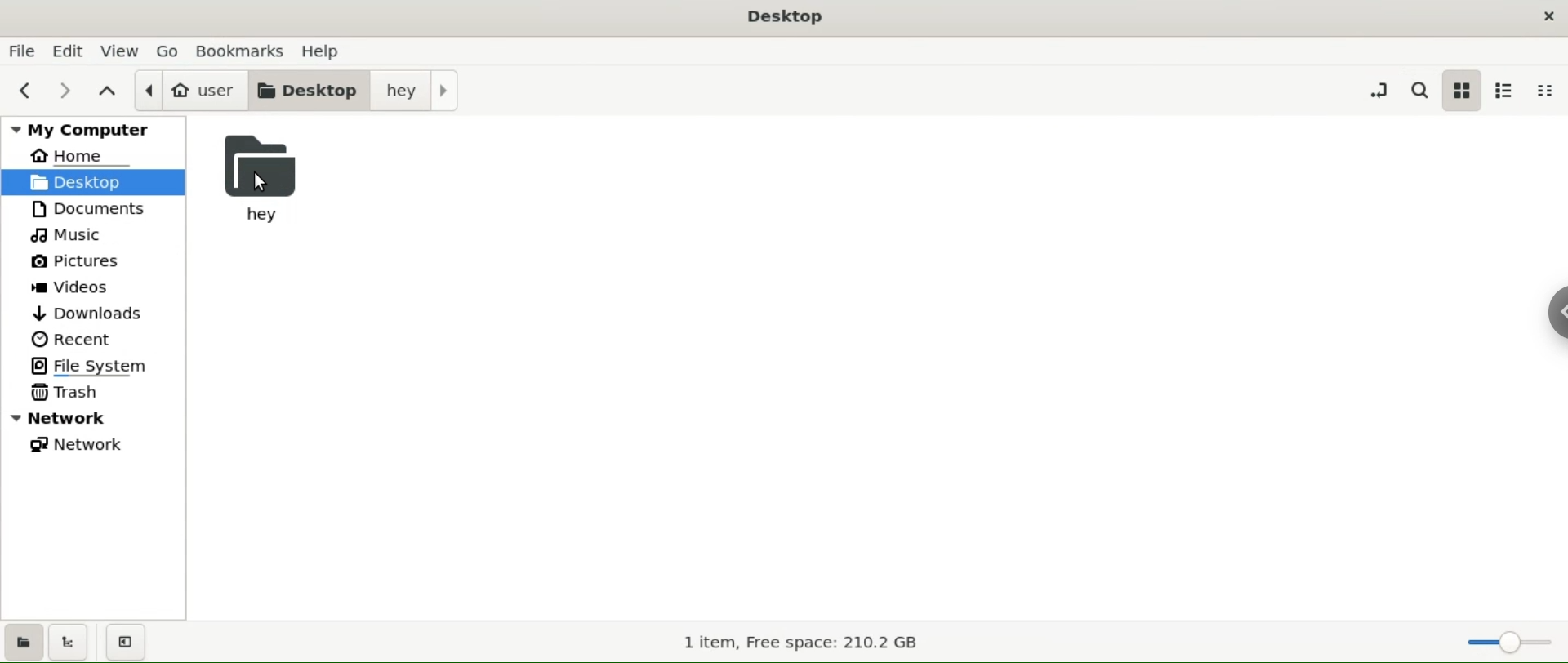 This screenshot has height=663, width=1568. I want to click on documents, so click(88, 211).